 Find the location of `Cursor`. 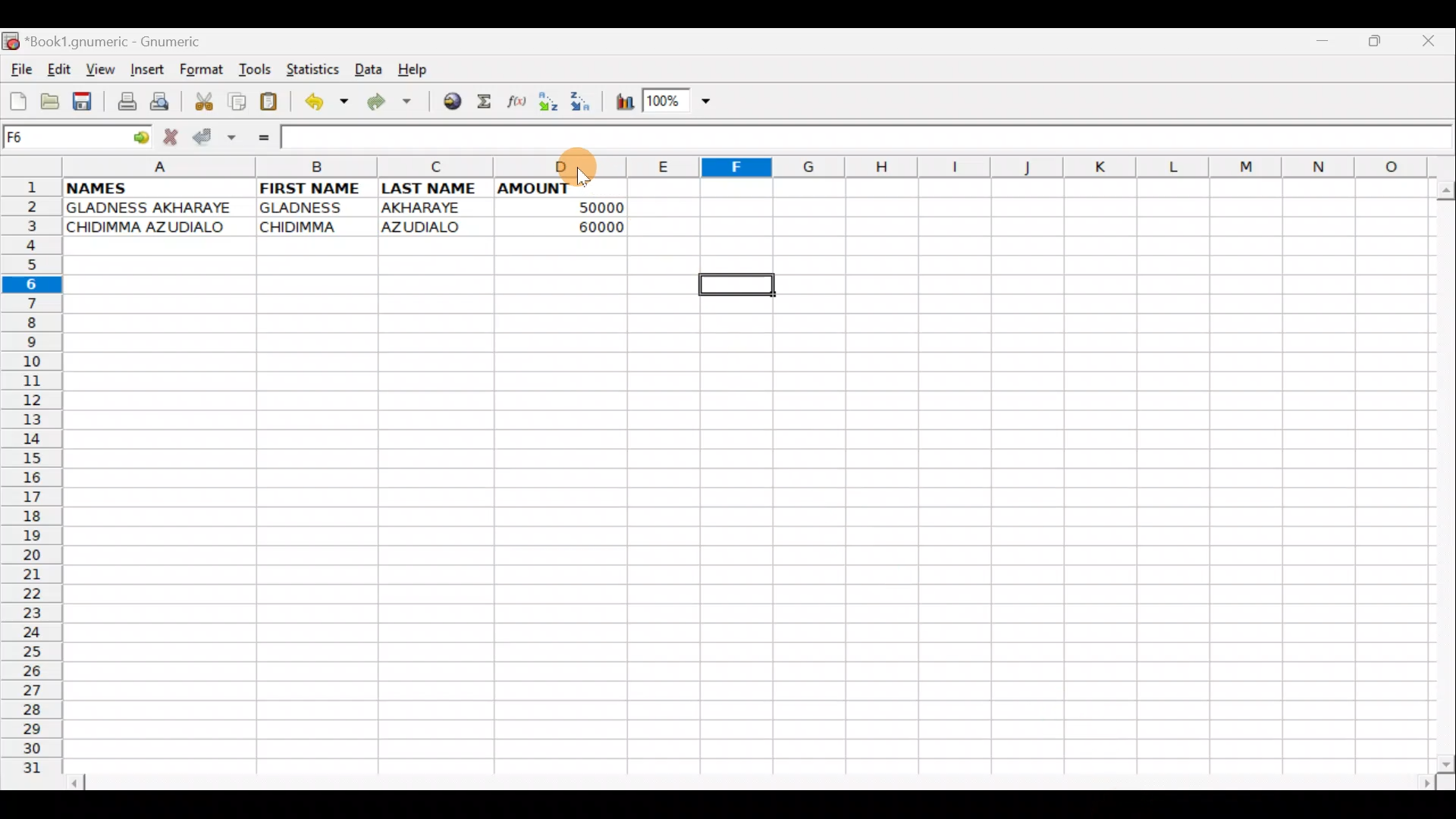

Cursor is located at coordinates (579, 169).